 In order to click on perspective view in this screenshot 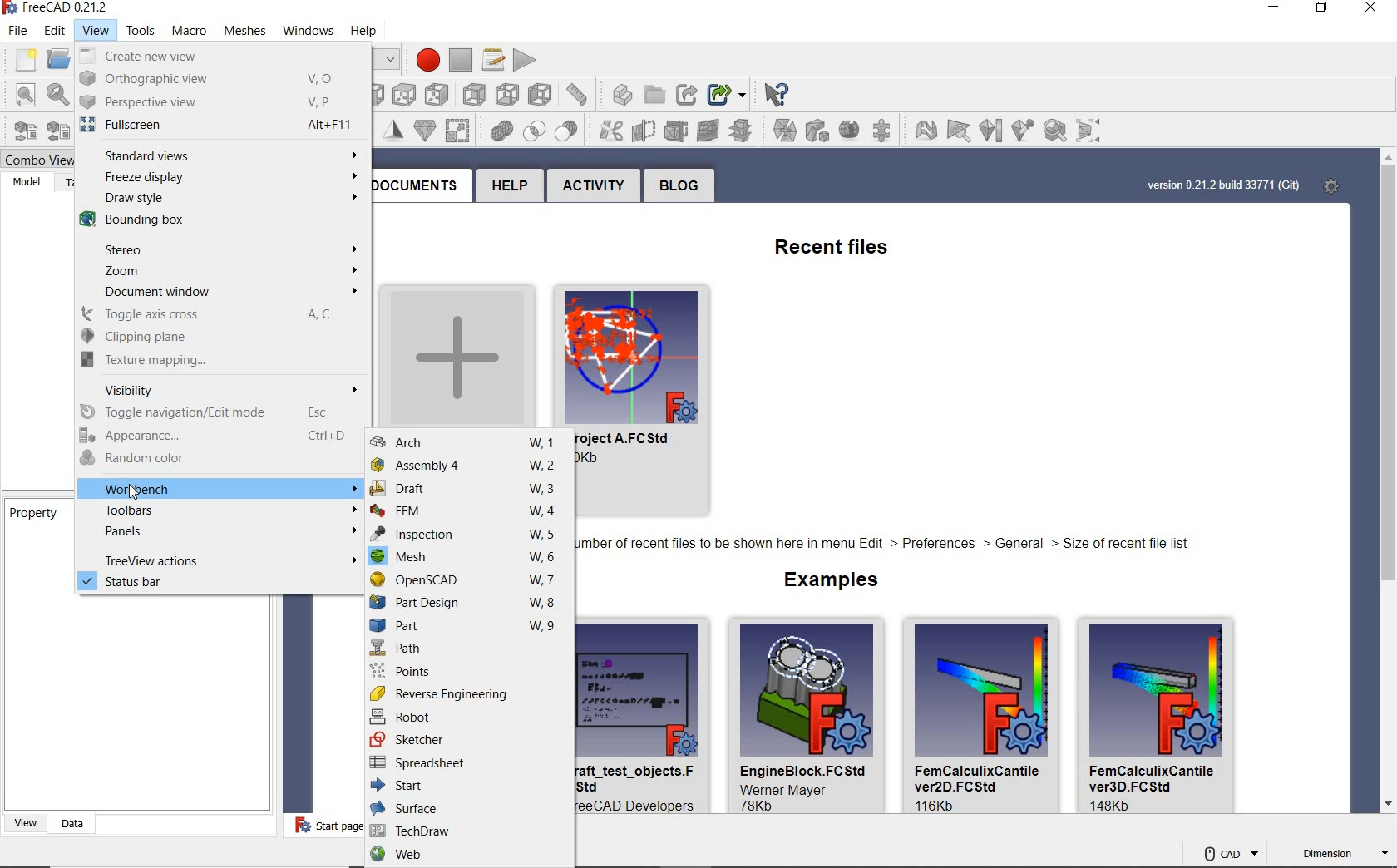, I will do `click(212, 101)`.